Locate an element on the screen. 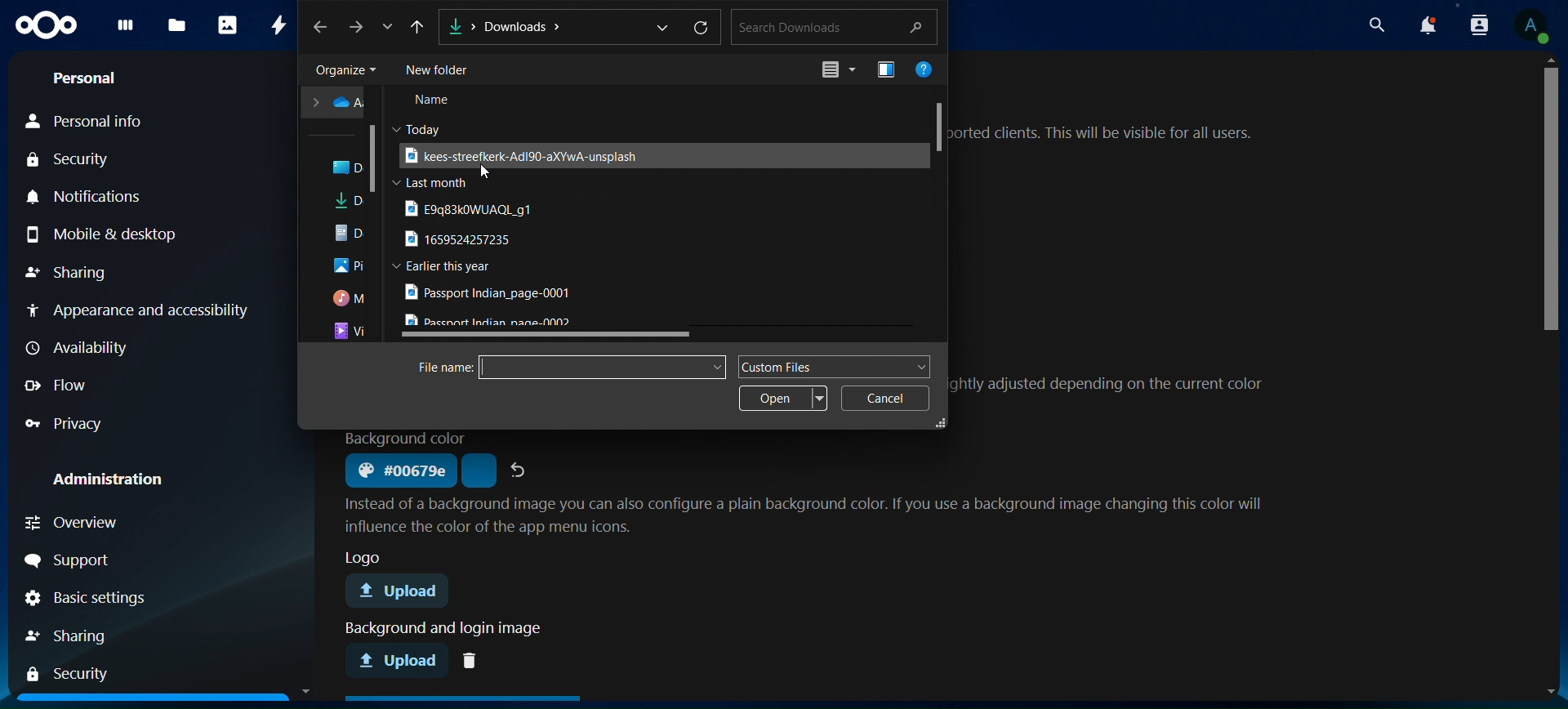 The width and height of the screenshot is (1568, 709). activity is located at coordinates (280, 24).